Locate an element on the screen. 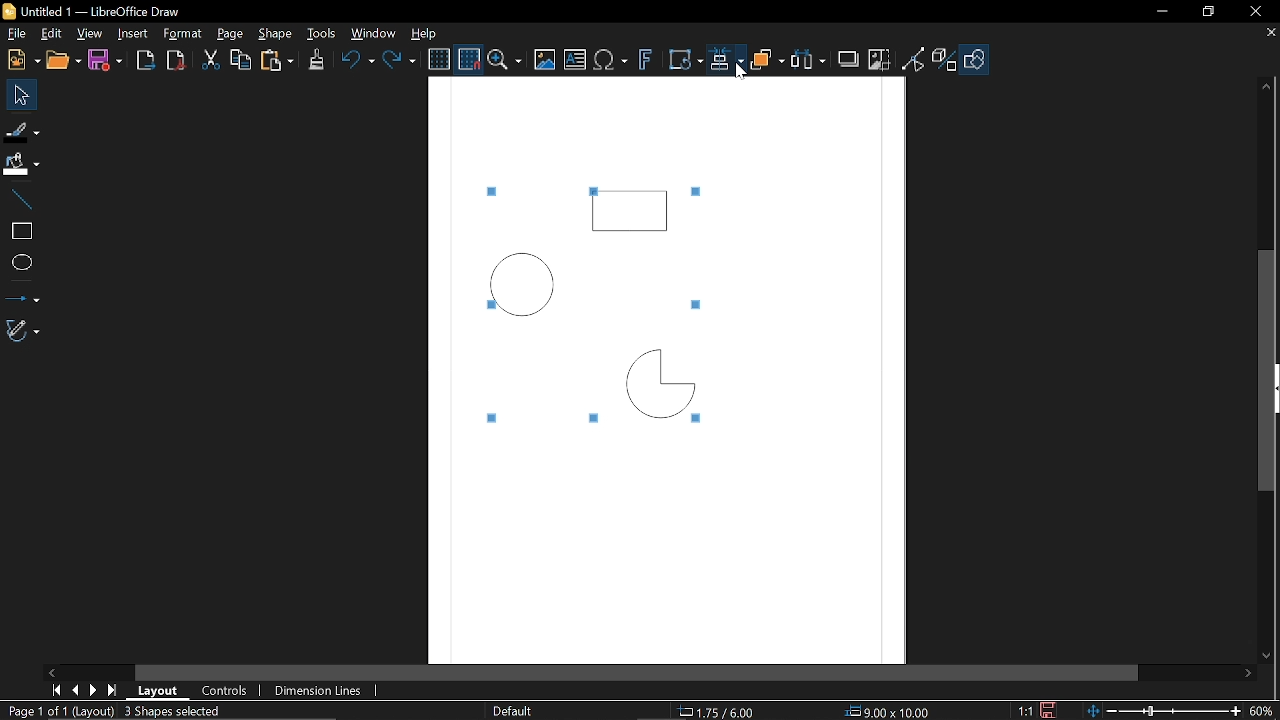 This screenshot has width=1280, height=720. Tiny square marked around the selected objects is located at coordinates (697, 190).